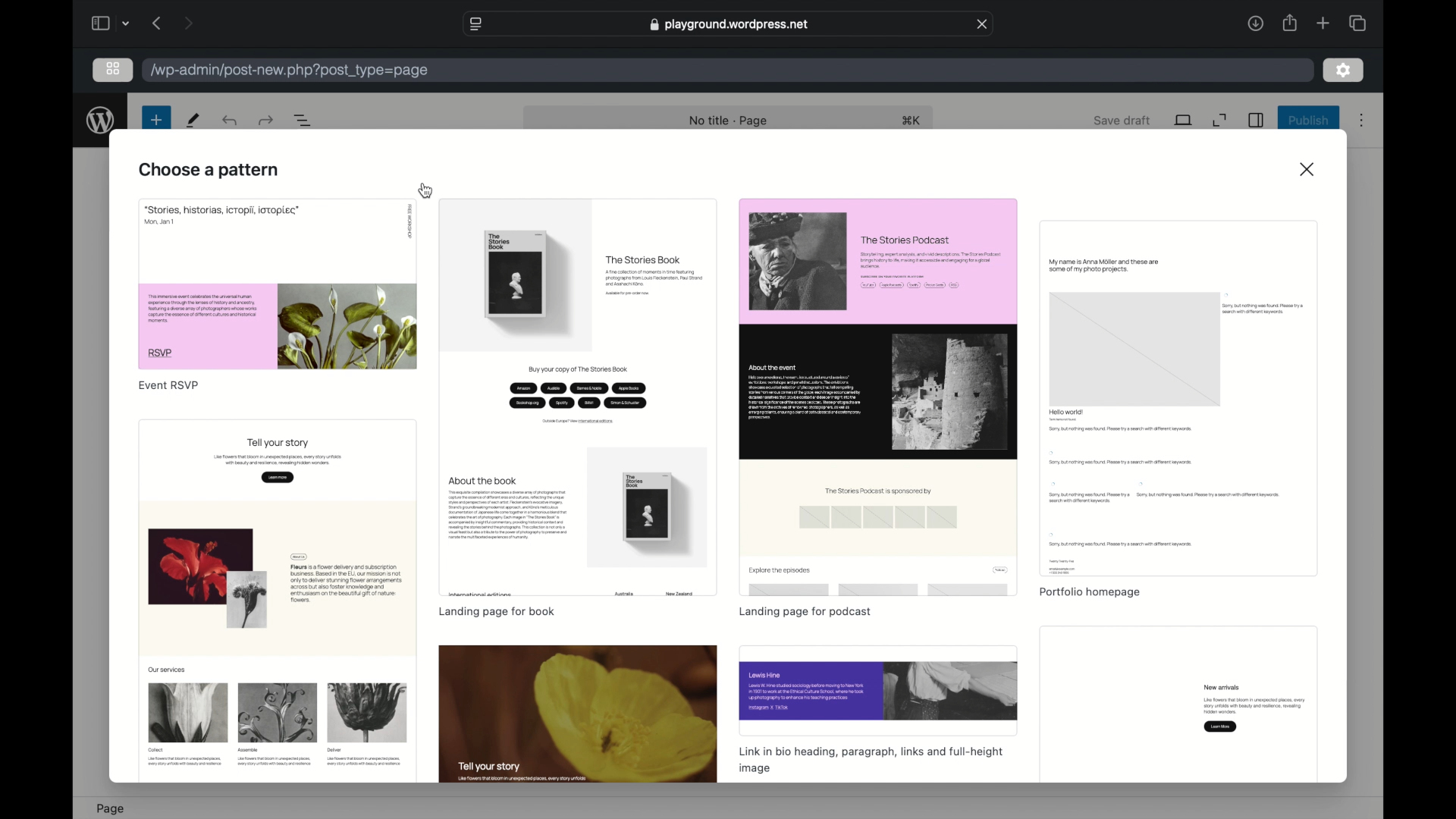  What do you see at coordinates (100, 120) in the screenshot?
I see `wordpress` at bounding box center [100, 120].